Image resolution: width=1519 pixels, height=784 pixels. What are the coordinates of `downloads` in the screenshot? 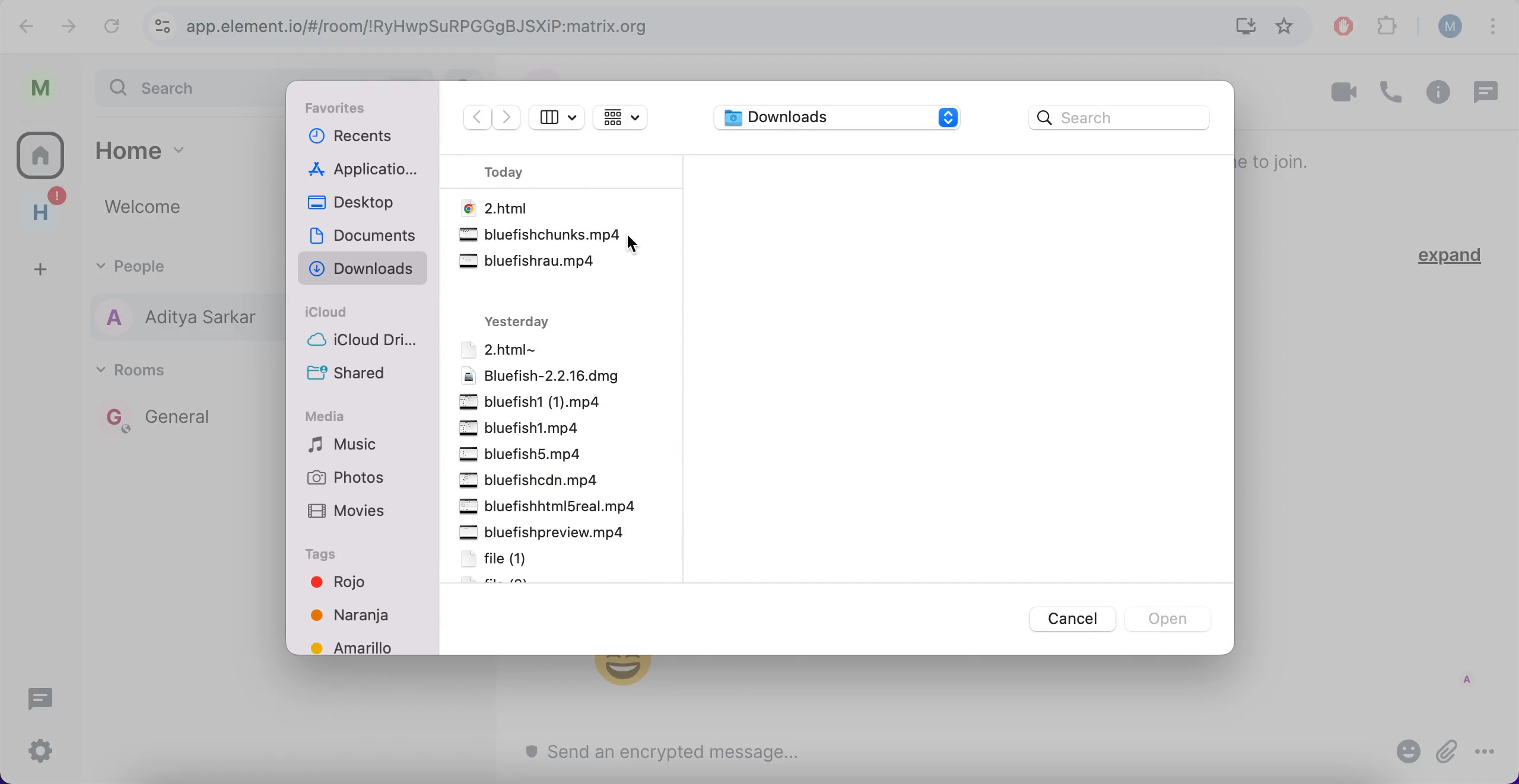 It's located at (367, 269).